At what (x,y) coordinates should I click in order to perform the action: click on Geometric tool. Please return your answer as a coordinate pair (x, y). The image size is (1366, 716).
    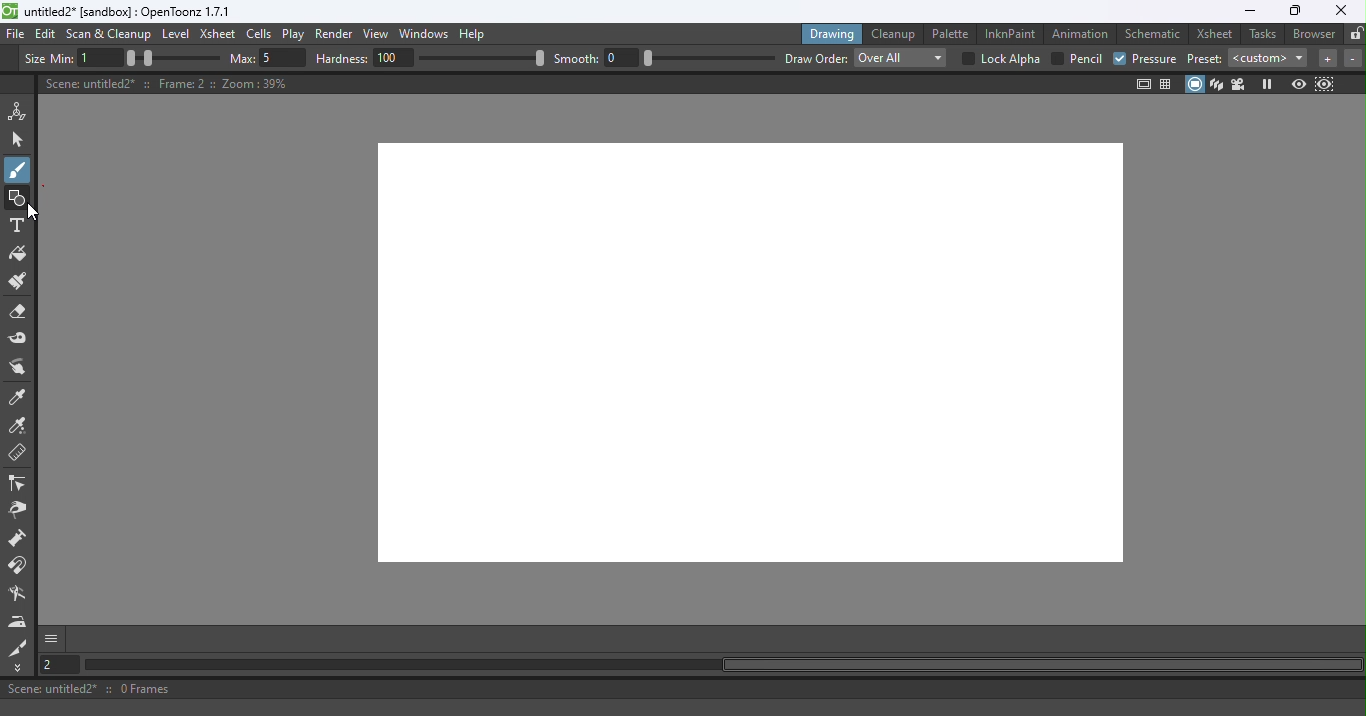
    Looking at the image, I should click on (19, 198).